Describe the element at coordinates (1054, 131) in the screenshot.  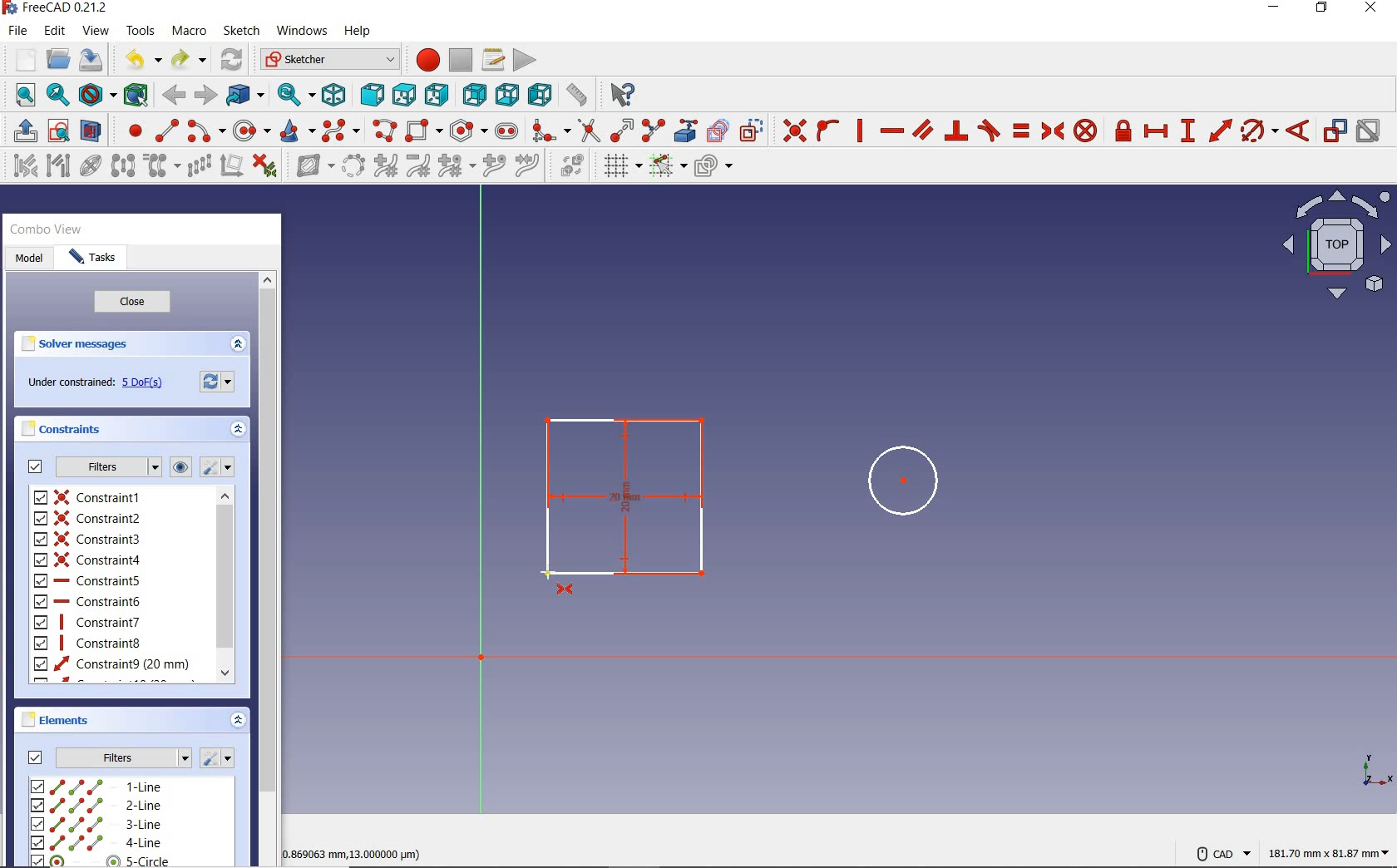
I see `constrain symmetrical` at that location.